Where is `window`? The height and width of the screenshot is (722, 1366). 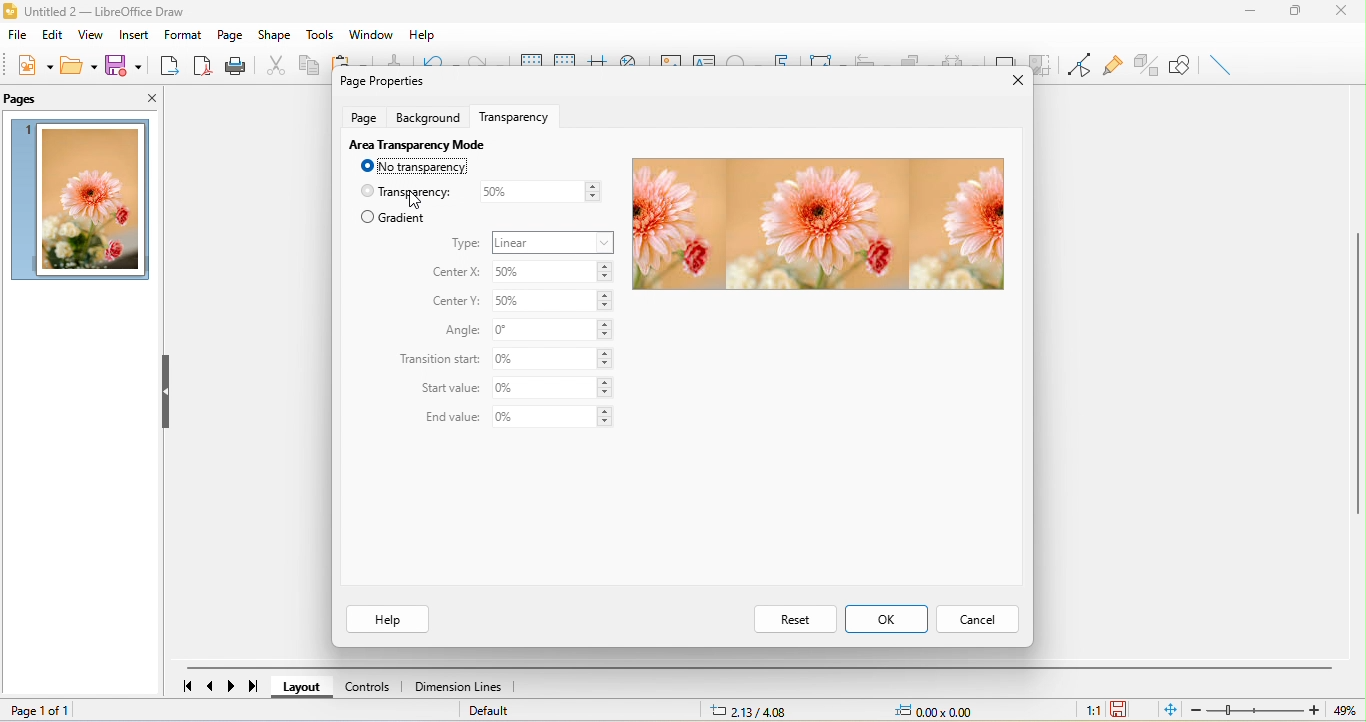 window is located at coordinates (374, 34).